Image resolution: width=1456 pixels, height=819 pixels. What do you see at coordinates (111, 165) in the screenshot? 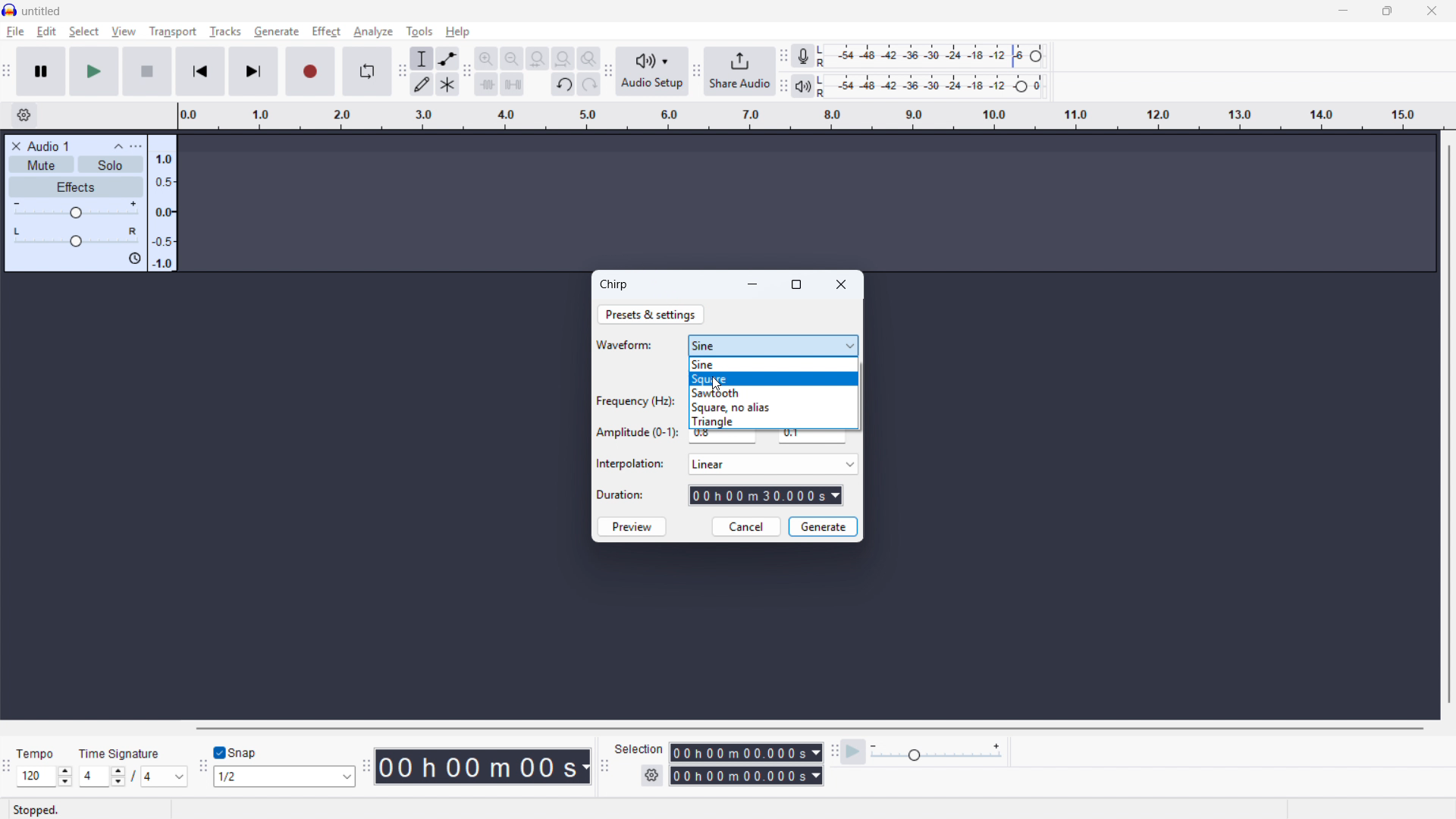
I see `Solo ` at bounding box center [111, 165].